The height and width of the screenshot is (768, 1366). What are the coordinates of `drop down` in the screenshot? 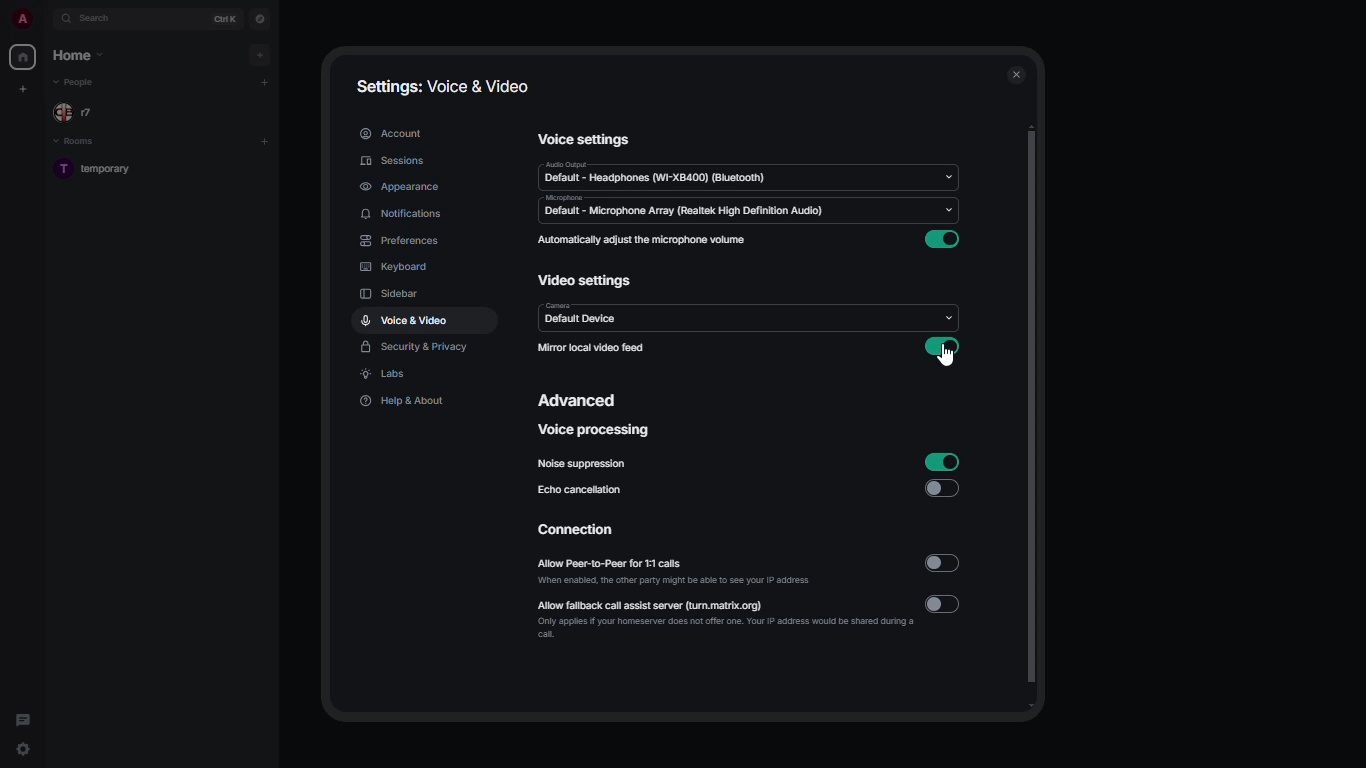 It's located at (946, 210).